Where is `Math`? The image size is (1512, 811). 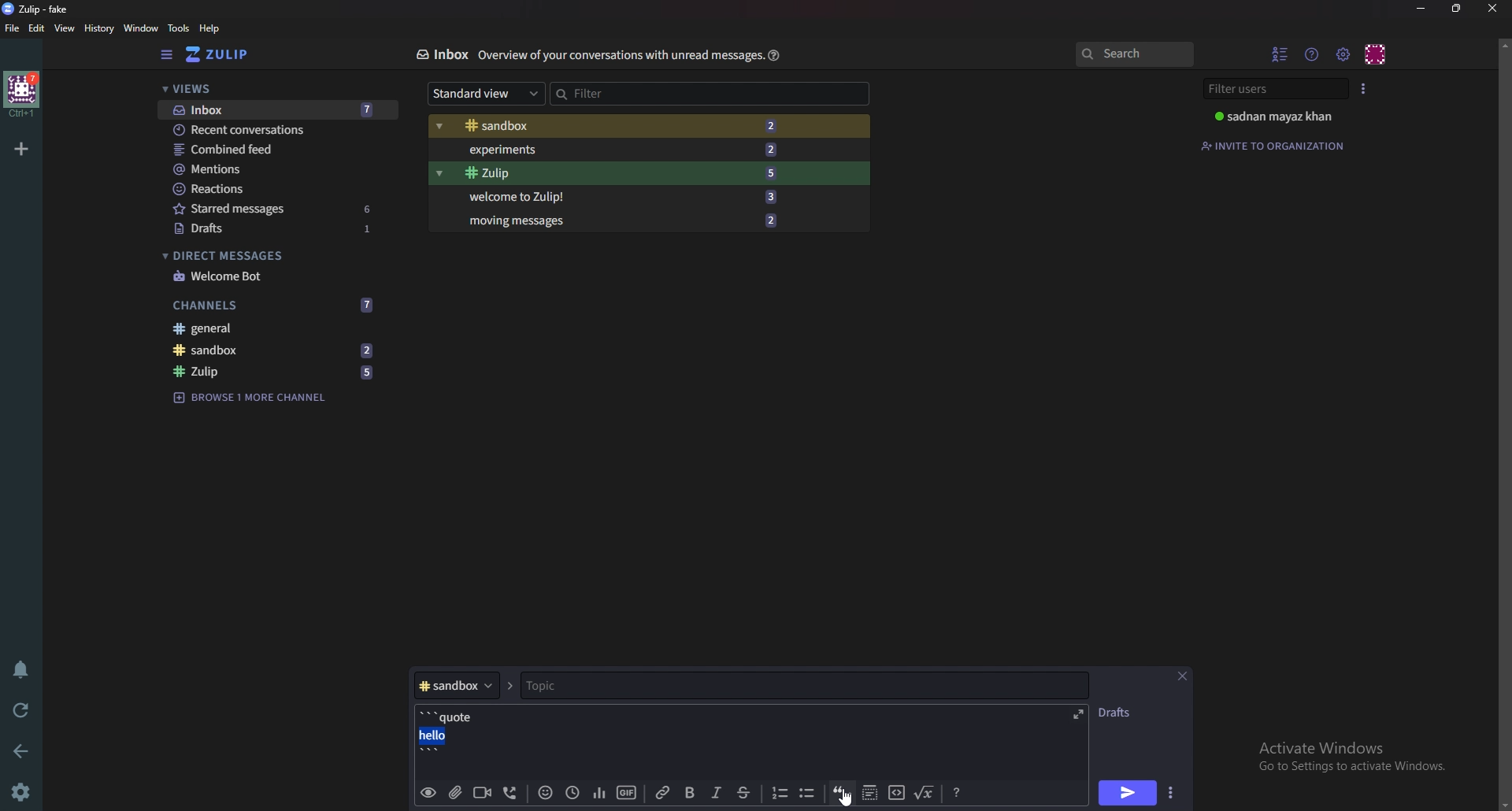 Math is located at coordinates (926, 794).